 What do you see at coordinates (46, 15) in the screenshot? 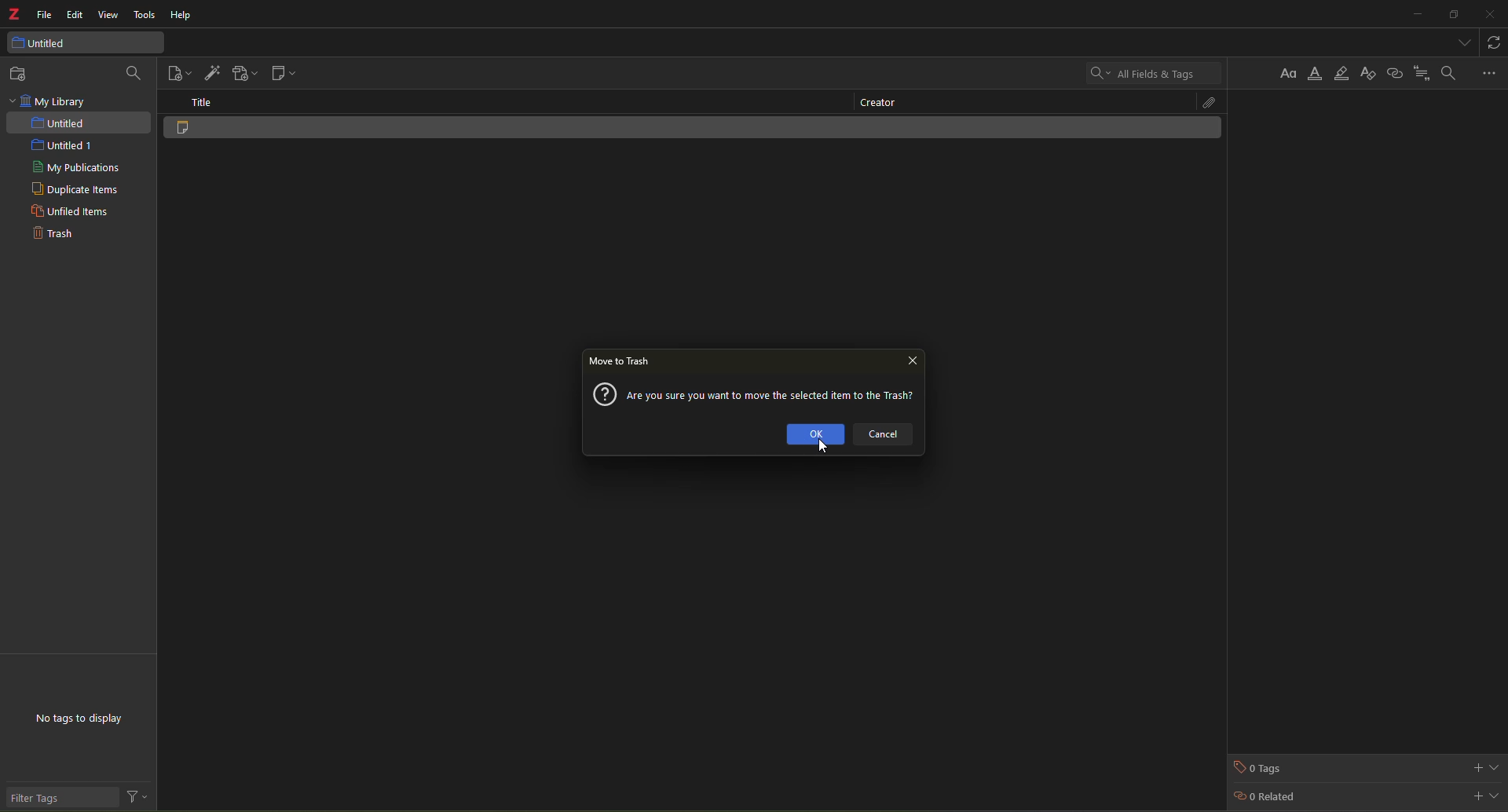
I see `file` at bounding box center [46, 15].